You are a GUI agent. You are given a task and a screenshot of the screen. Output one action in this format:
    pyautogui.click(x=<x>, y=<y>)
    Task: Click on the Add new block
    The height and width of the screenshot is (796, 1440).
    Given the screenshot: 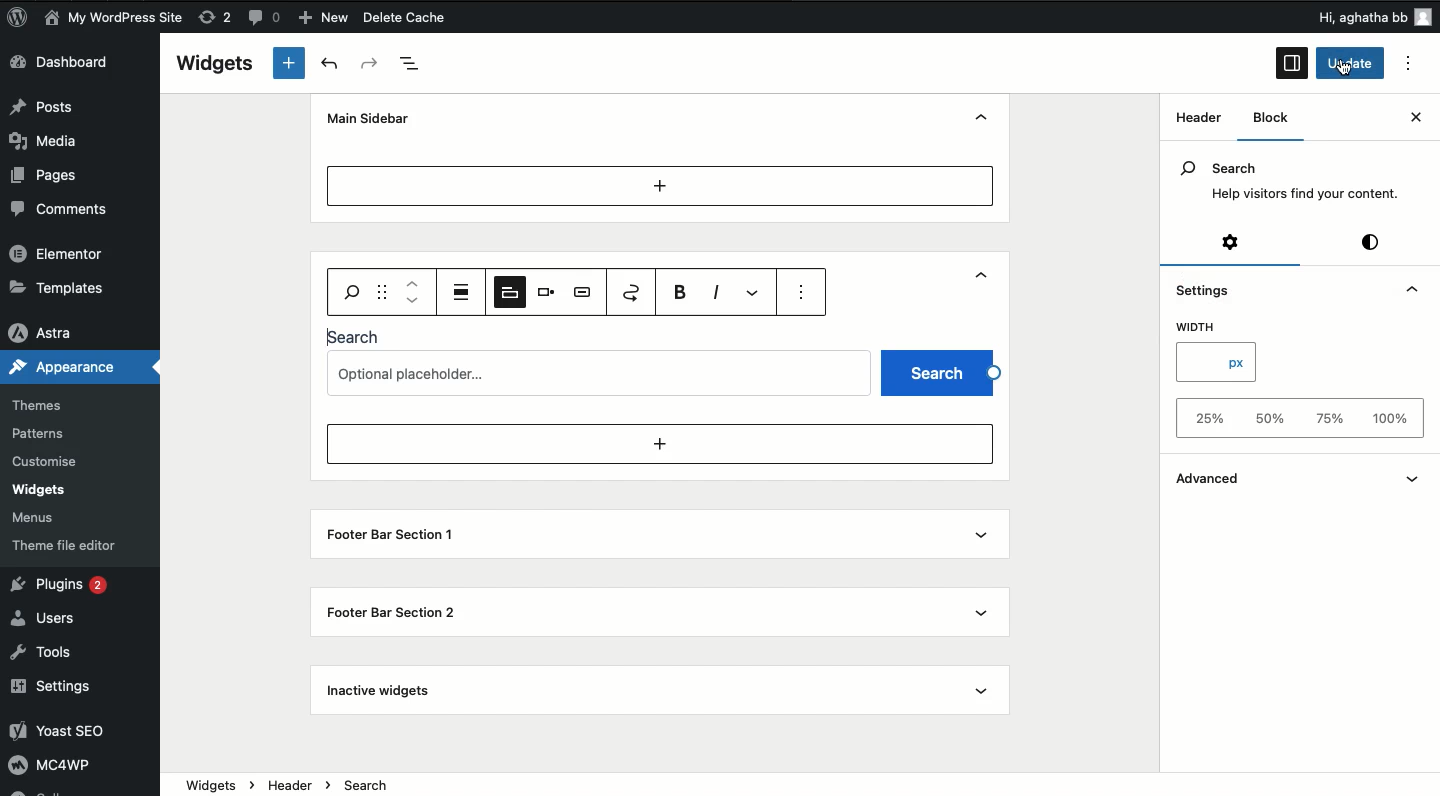 What is the action you would take?
    pyautogui.click(x=288, y=64)
    